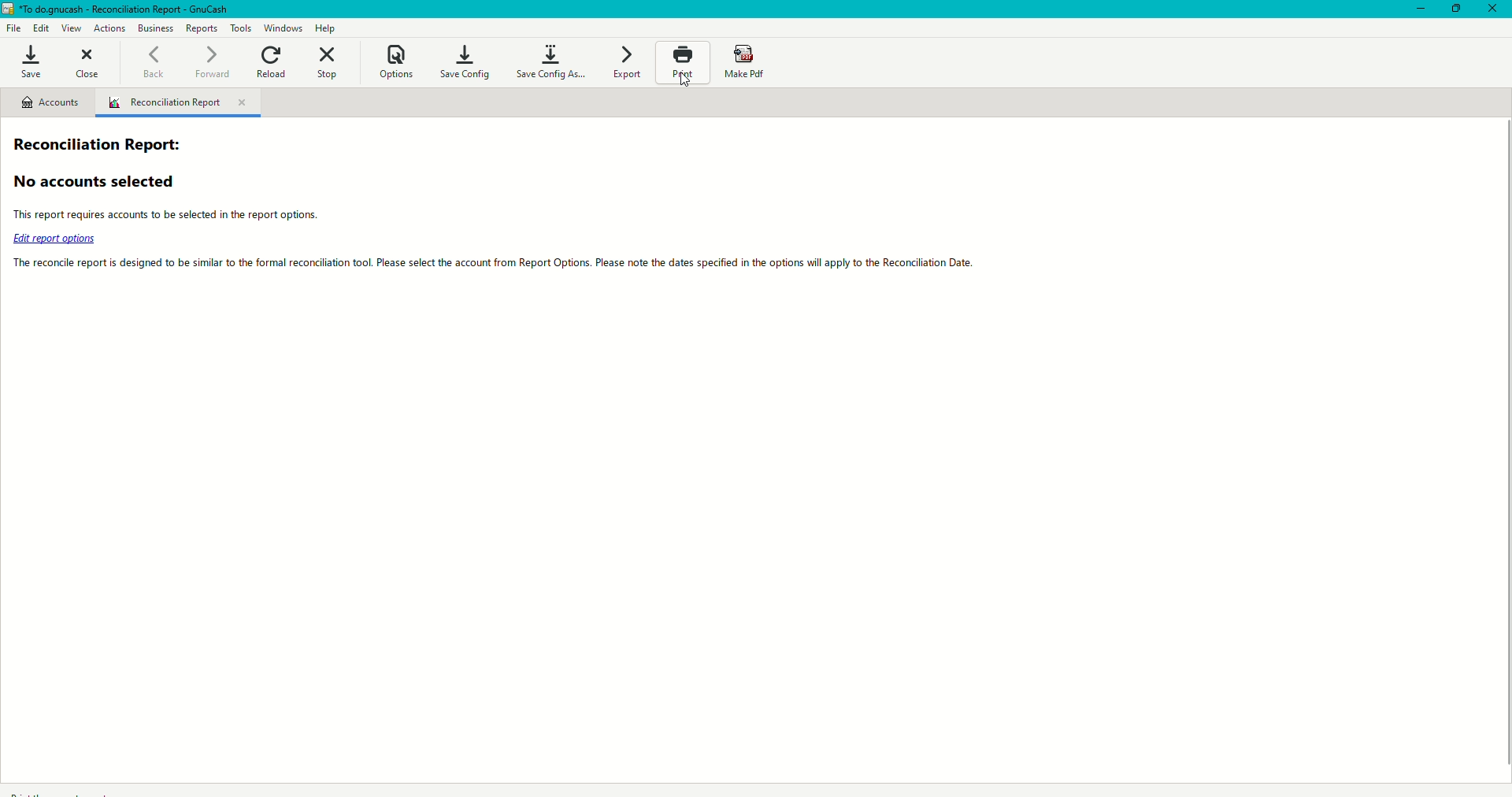  What do you see at coordinates (127, 9) in the screenshot?
I see `*TO do.gnucash - accounts - GnuCash` at bounding box center [127, 9].